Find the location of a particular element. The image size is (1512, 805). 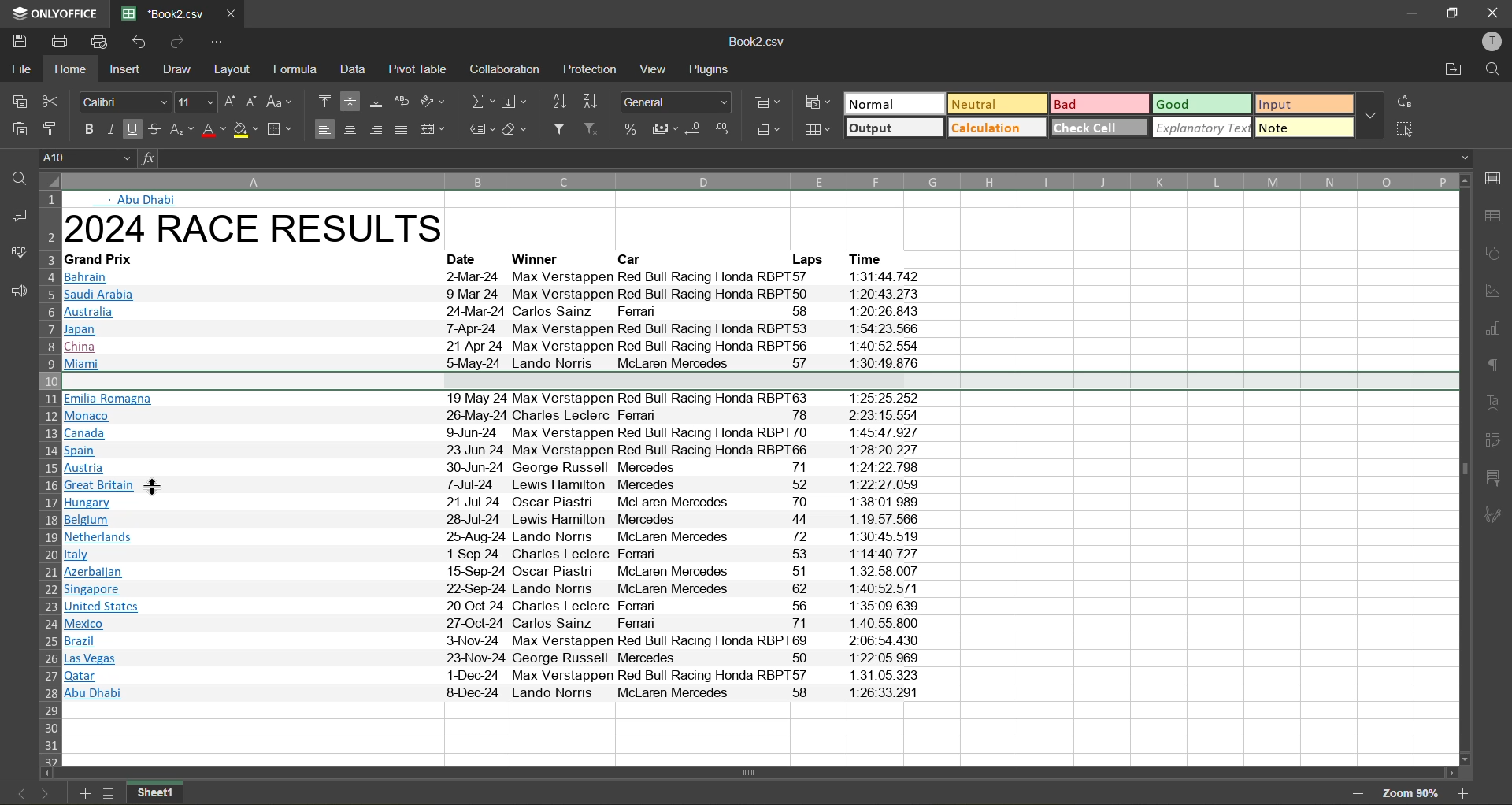

customize quick access toolbar is located at coordinates (218, 43).